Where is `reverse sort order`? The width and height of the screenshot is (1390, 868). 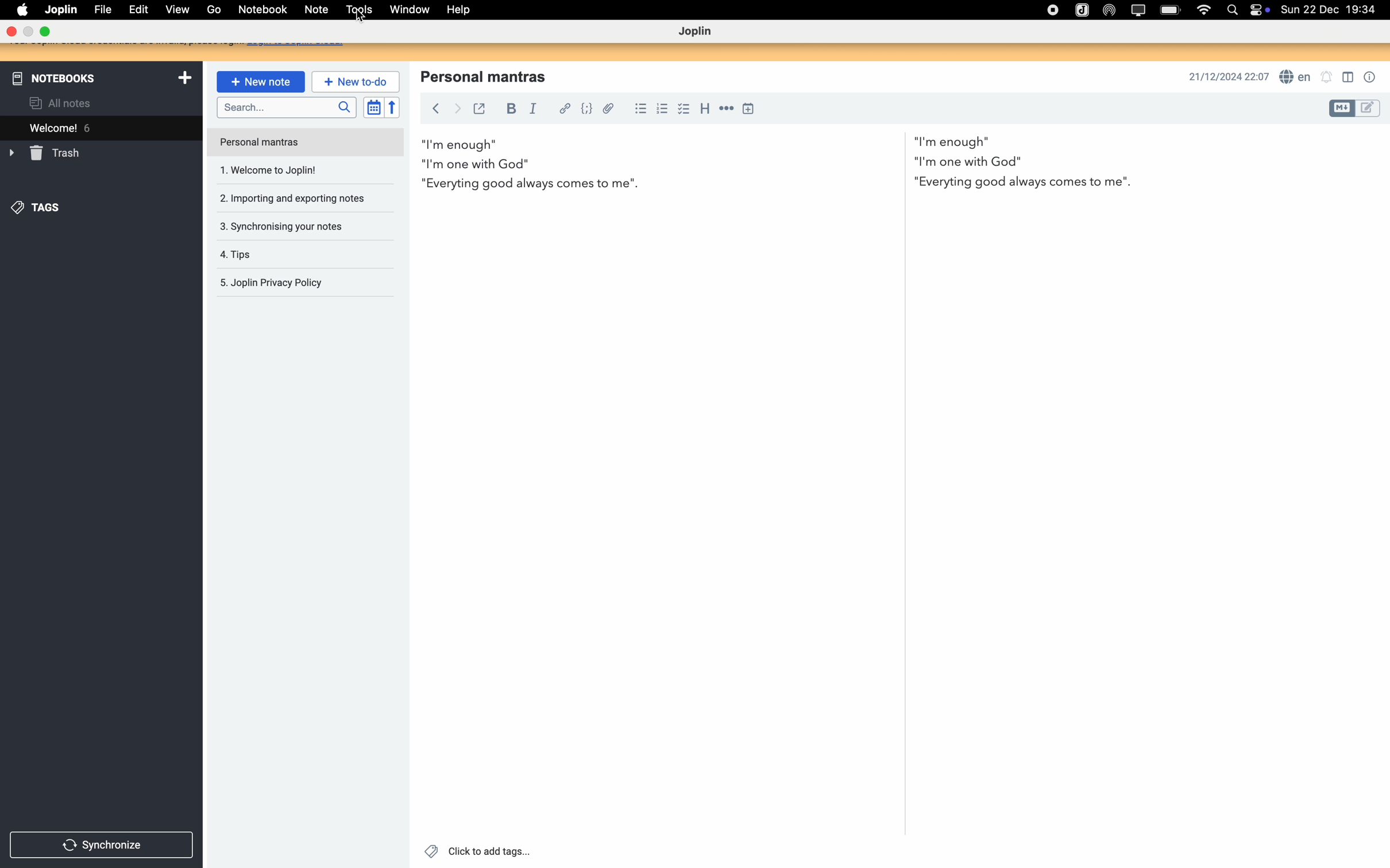
reverse sort order is located at coordinates (392, 106).